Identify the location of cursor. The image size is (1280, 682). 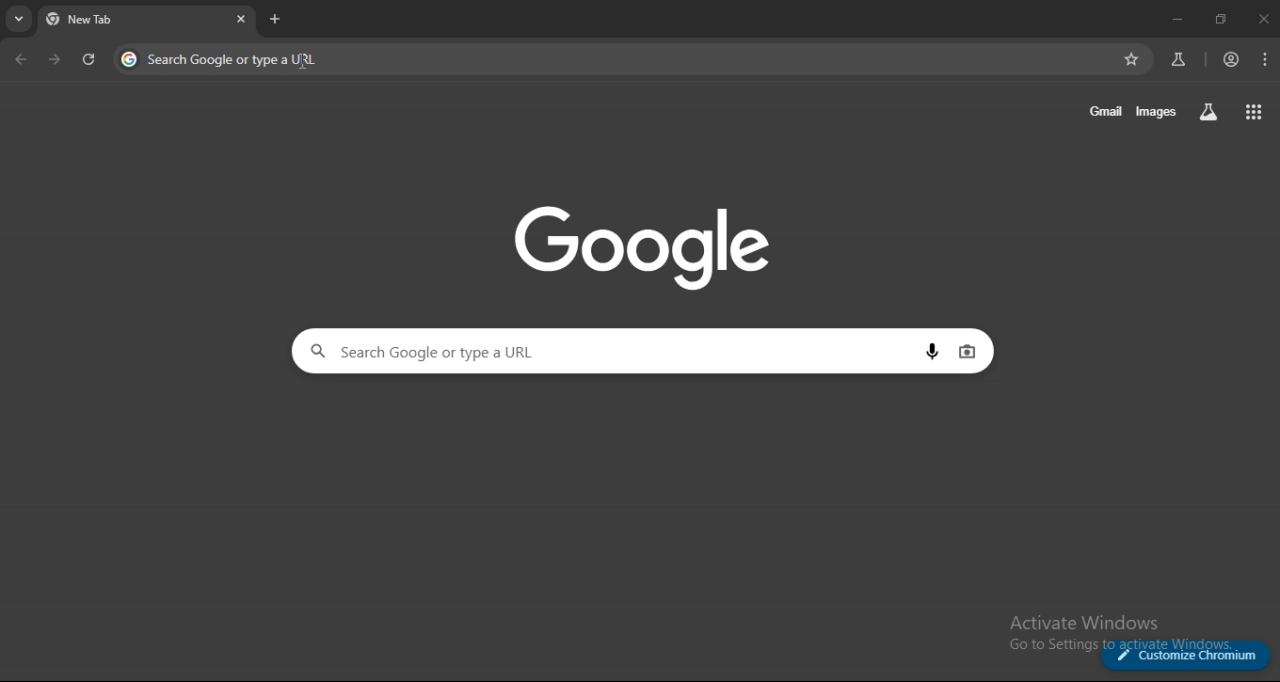
(304, 61).